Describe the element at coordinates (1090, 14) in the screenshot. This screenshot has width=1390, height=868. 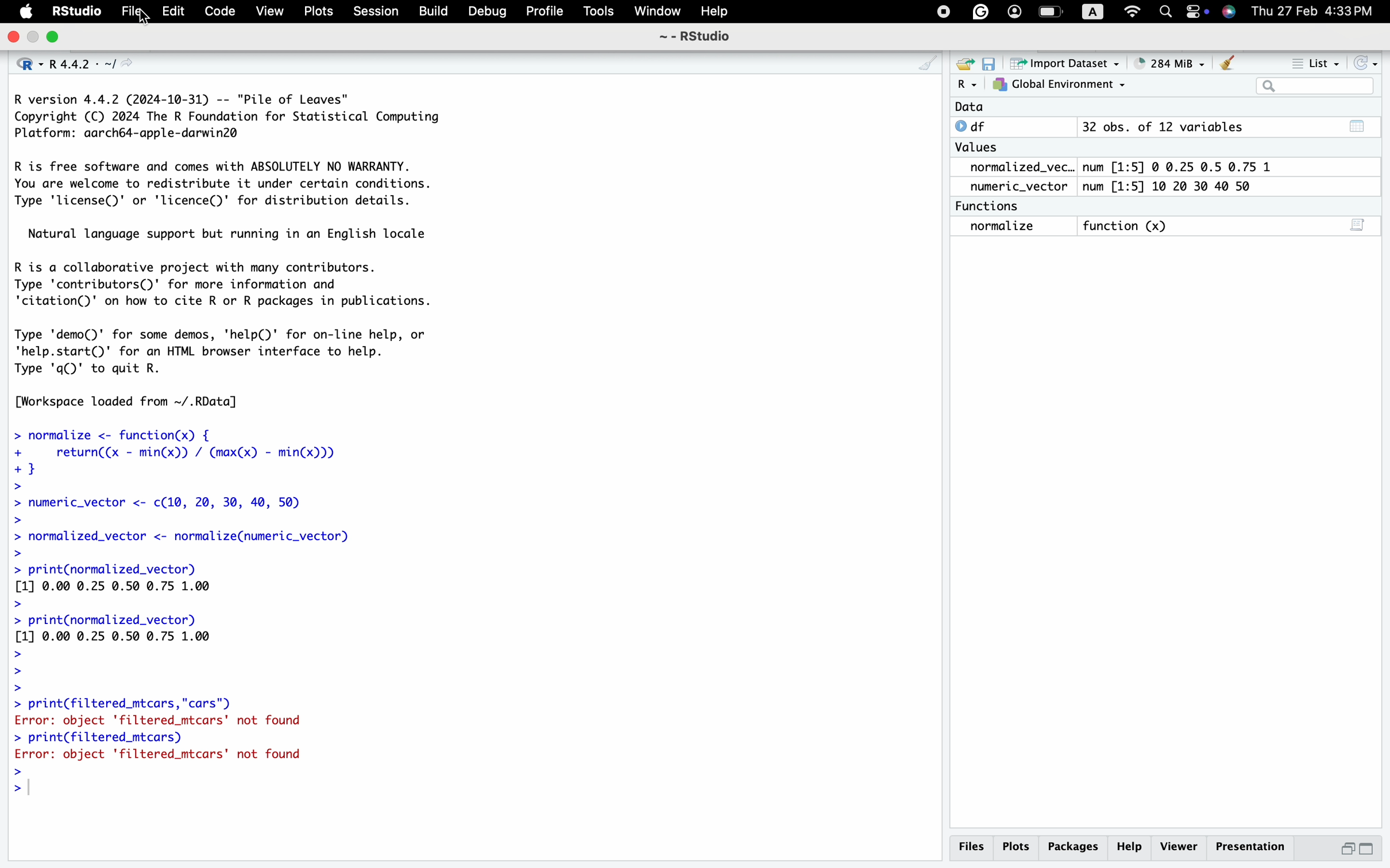
I see `letter` at that location.